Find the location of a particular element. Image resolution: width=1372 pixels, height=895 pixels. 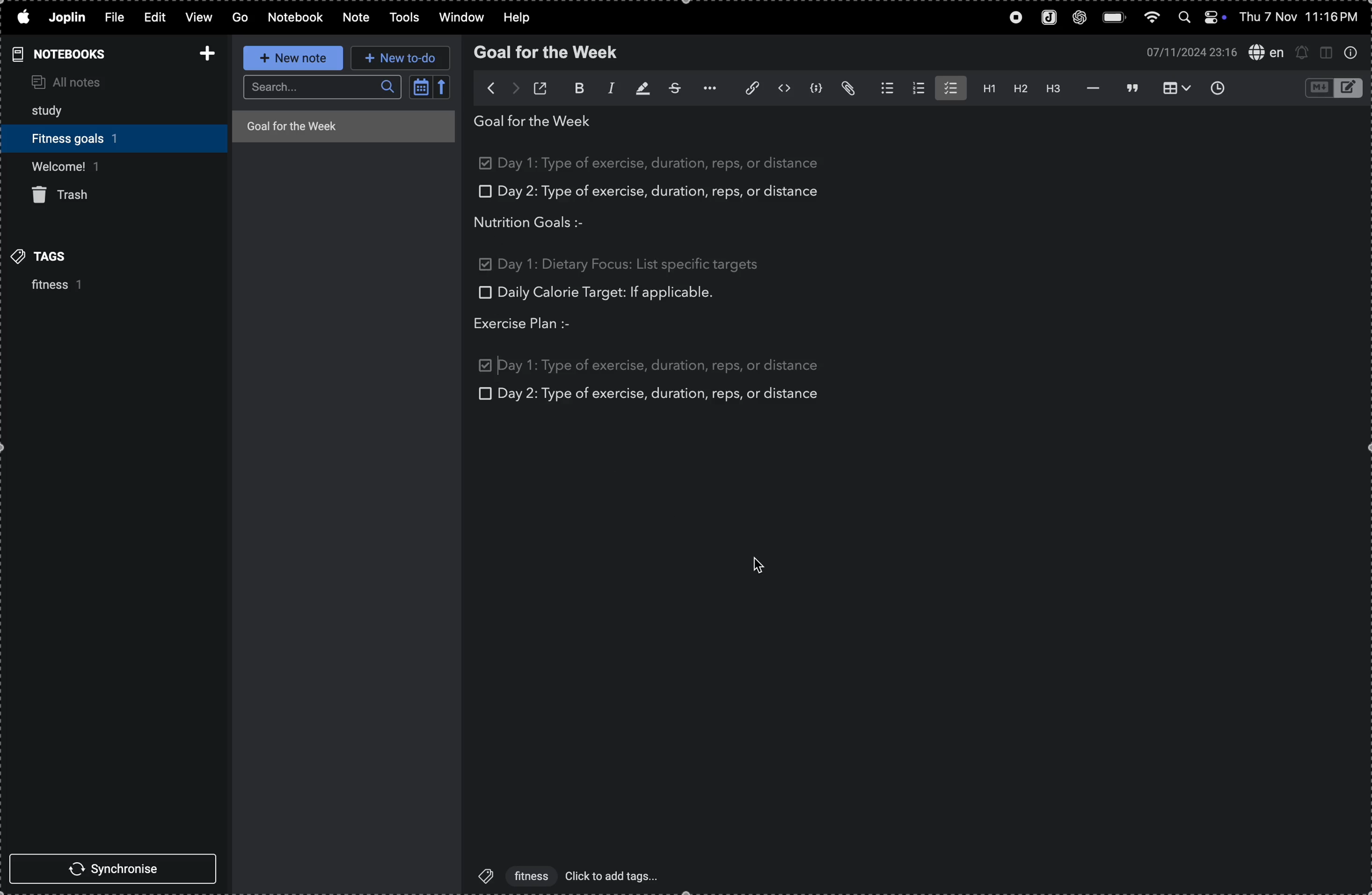

cursor is located at coordinates (766, 567).